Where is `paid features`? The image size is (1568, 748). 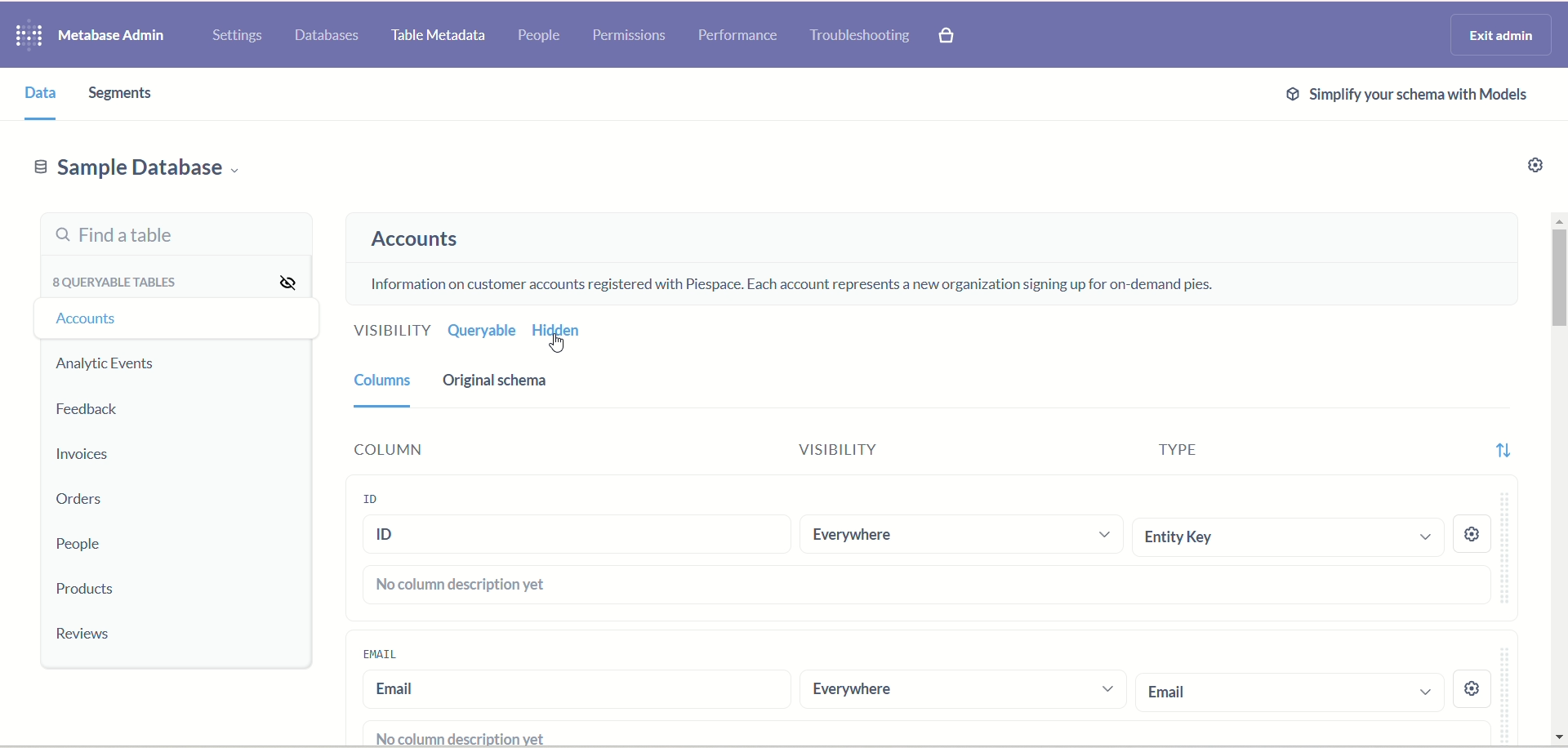
paid features is located at coordinates (952, 39).